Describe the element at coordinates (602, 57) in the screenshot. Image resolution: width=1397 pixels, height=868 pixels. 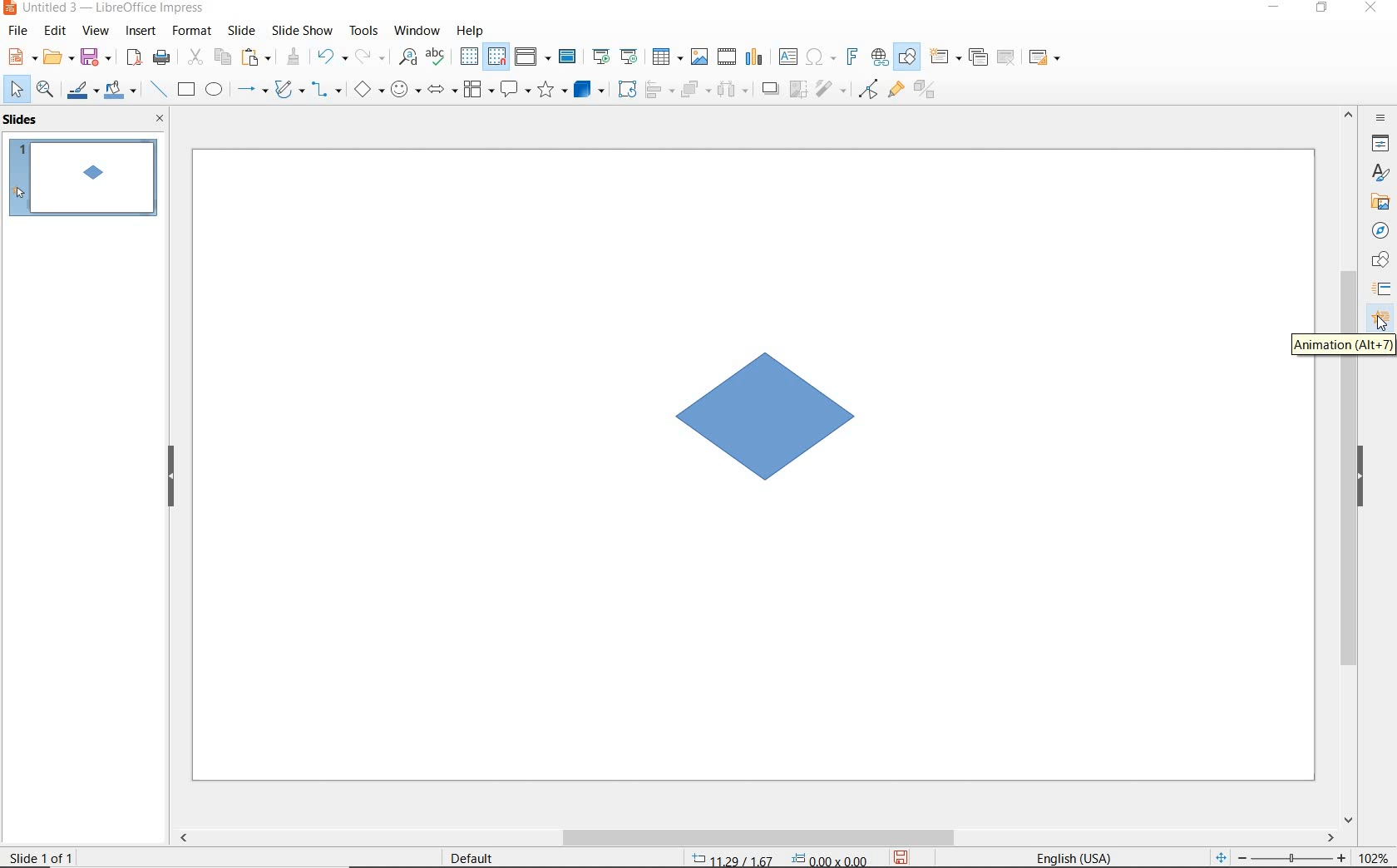
I see `start from first slide` at that location.